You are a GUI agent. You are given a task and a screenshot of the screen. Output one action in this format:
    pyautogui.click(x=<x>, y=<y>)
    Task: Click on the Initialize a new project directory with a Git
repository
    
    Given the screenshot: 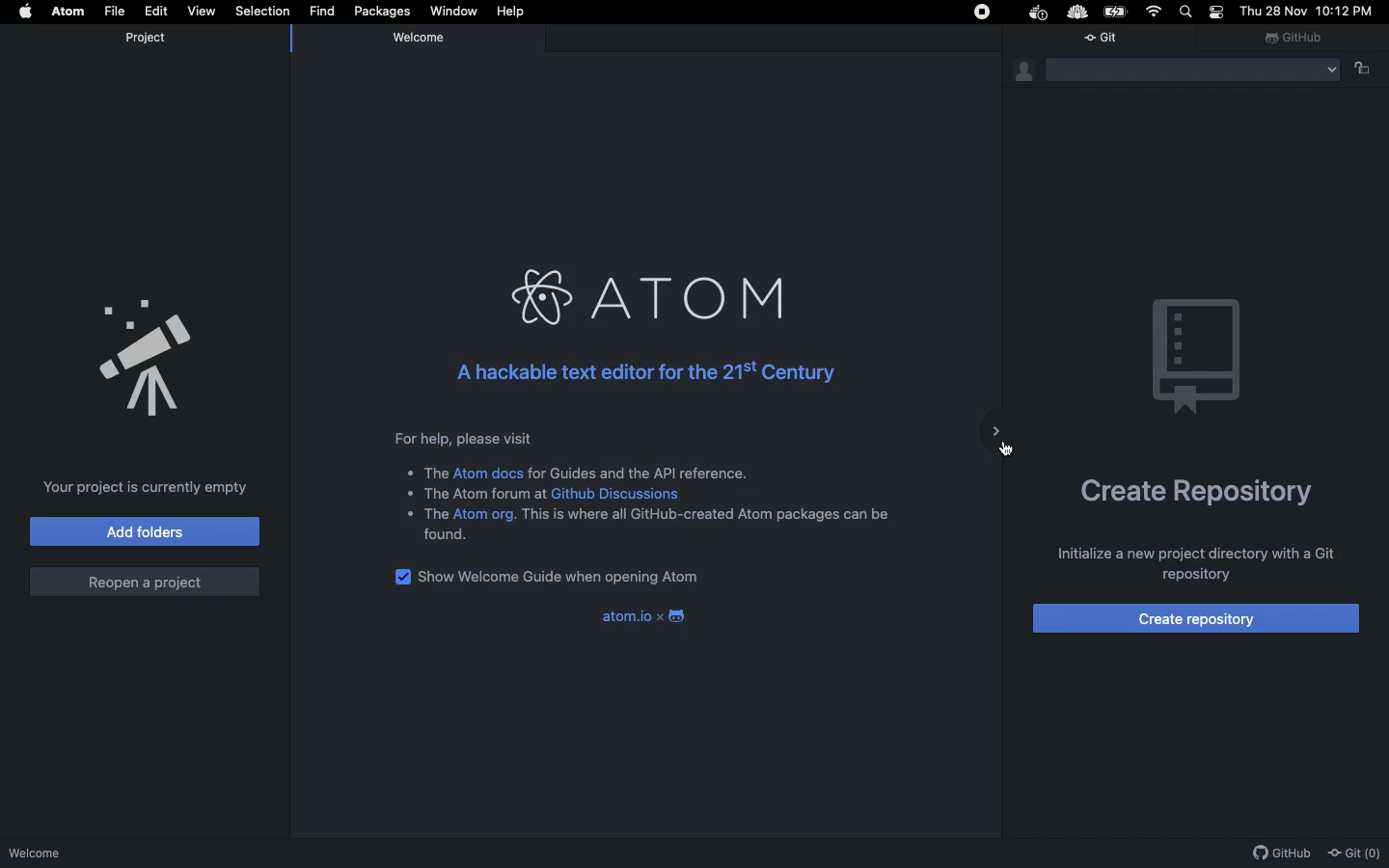 What is the action you would take?
    pyautogui.click(x=1198, y=562)
    